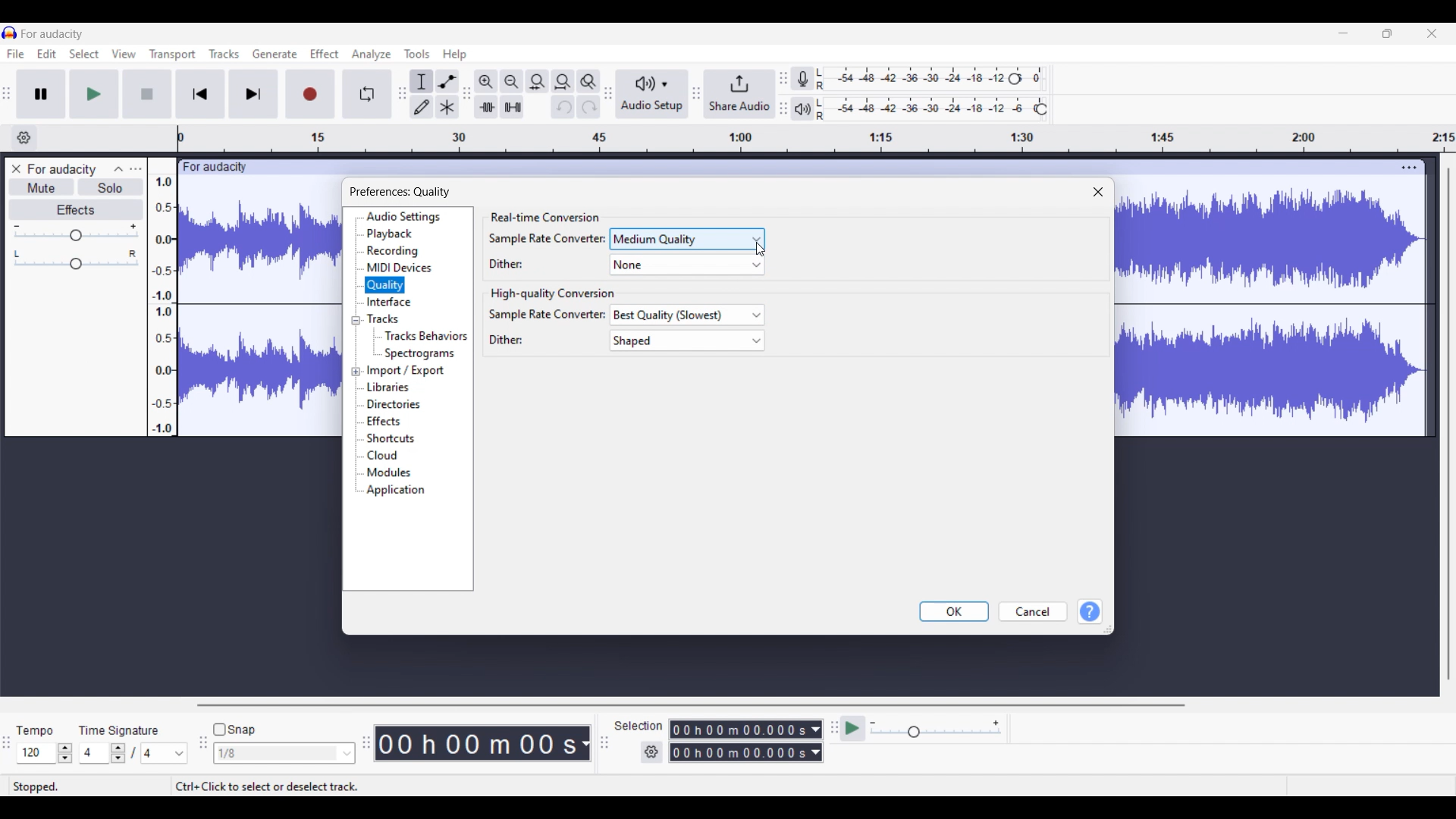  Describe the element at coordinates (486, 107) in the screenshot. I see `Trim audio outside selection` at that location.